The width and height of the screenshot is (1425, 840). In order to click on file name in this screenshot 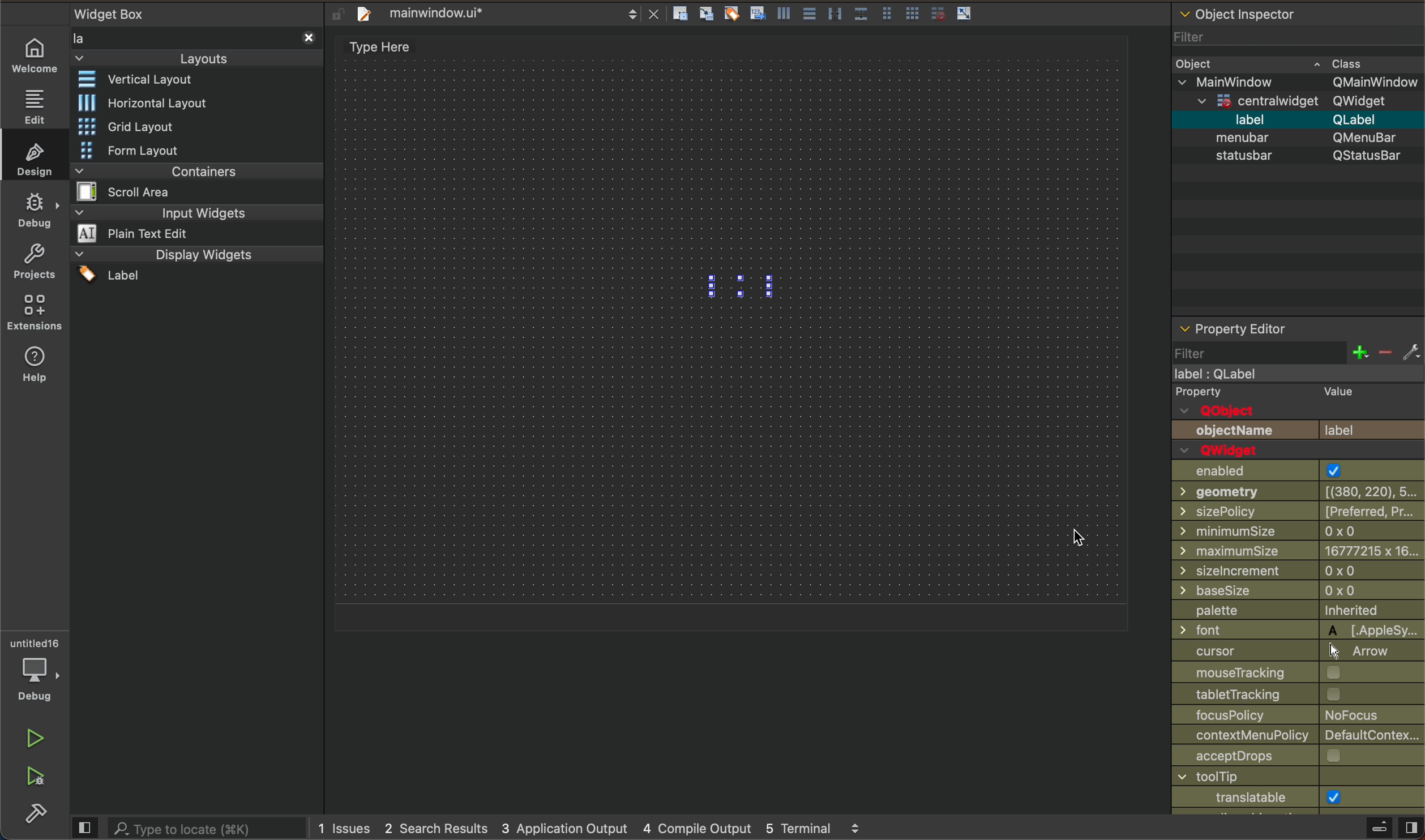, I will do `click(493, 13)`.